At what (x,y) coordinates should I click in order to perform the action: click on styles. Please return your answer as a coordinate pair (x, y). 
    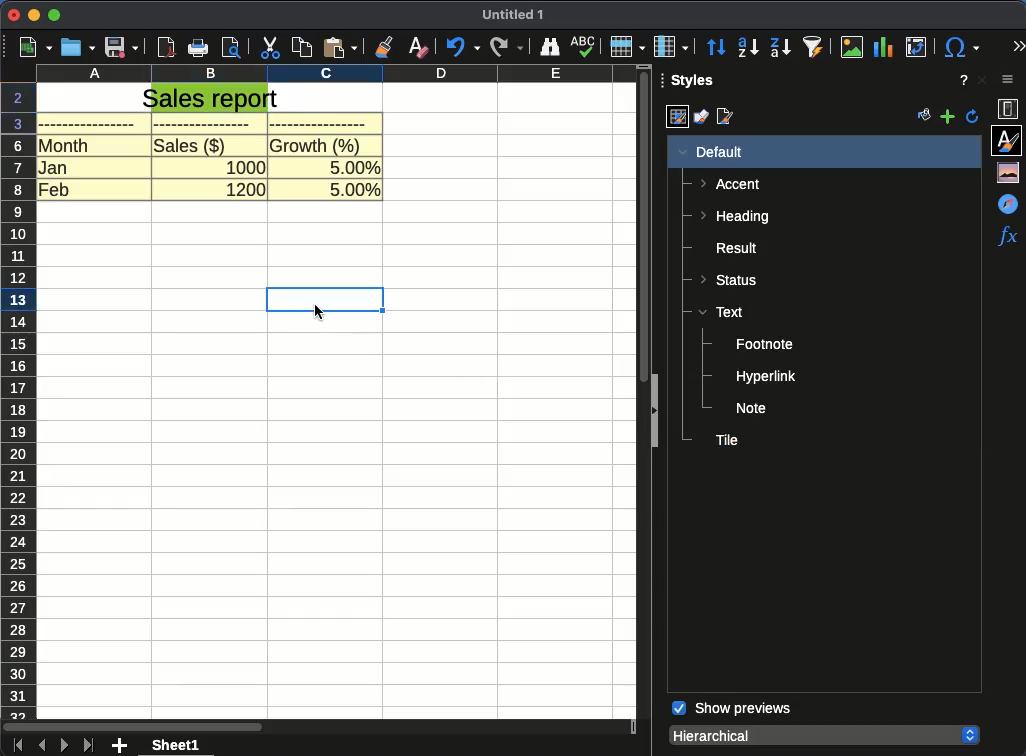
    Looking at the image, I should click on (1009, 139).